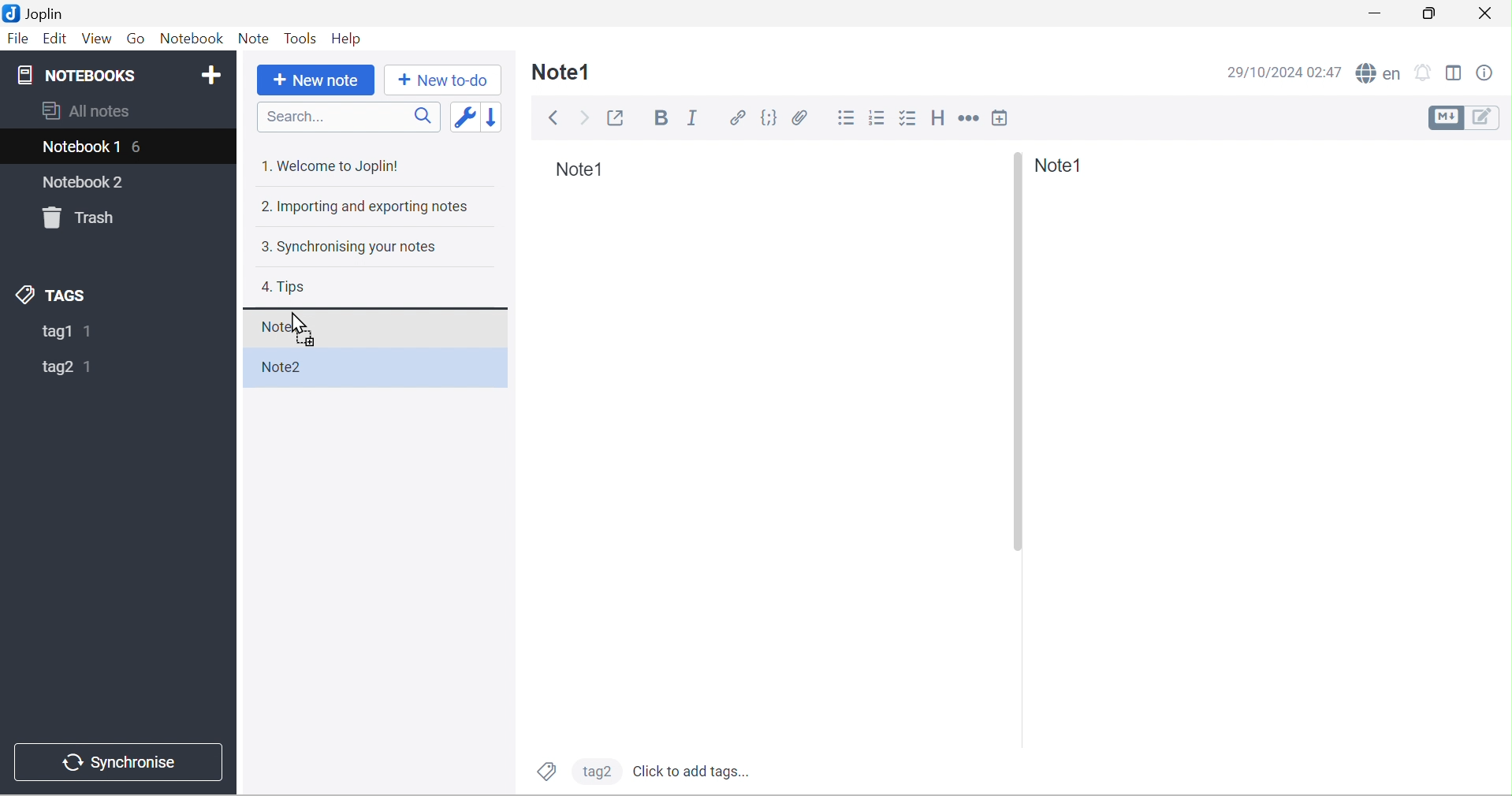 This screenshot has height=796, width=1512. Describe the element at coordinates (1378, 75) in the screenshot. I see `Spell checker` at that location.